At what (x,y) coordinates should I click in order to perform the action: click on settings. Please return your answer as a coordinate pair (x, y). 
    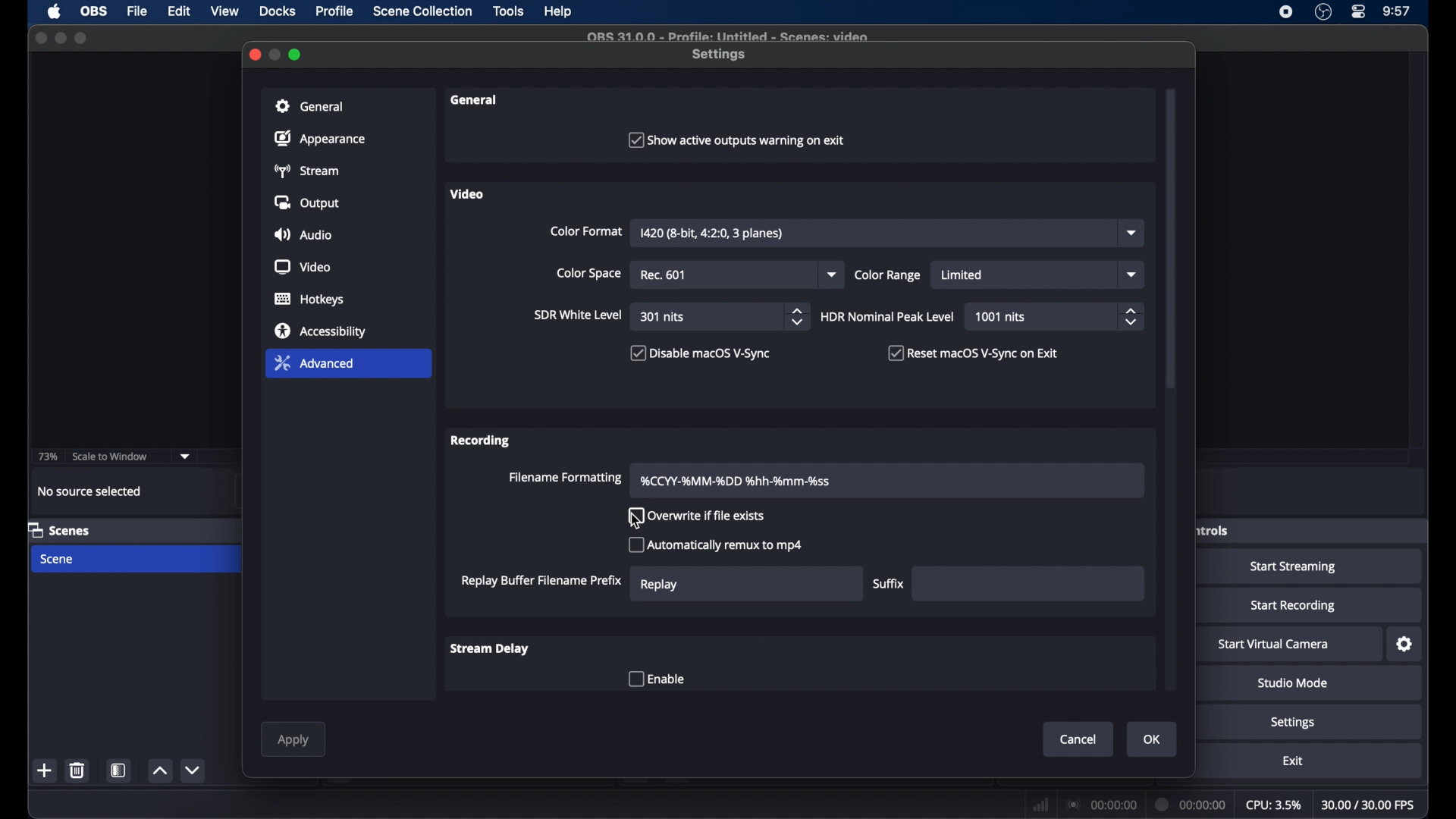
    Looking at the image, I should click on (1293, 722).